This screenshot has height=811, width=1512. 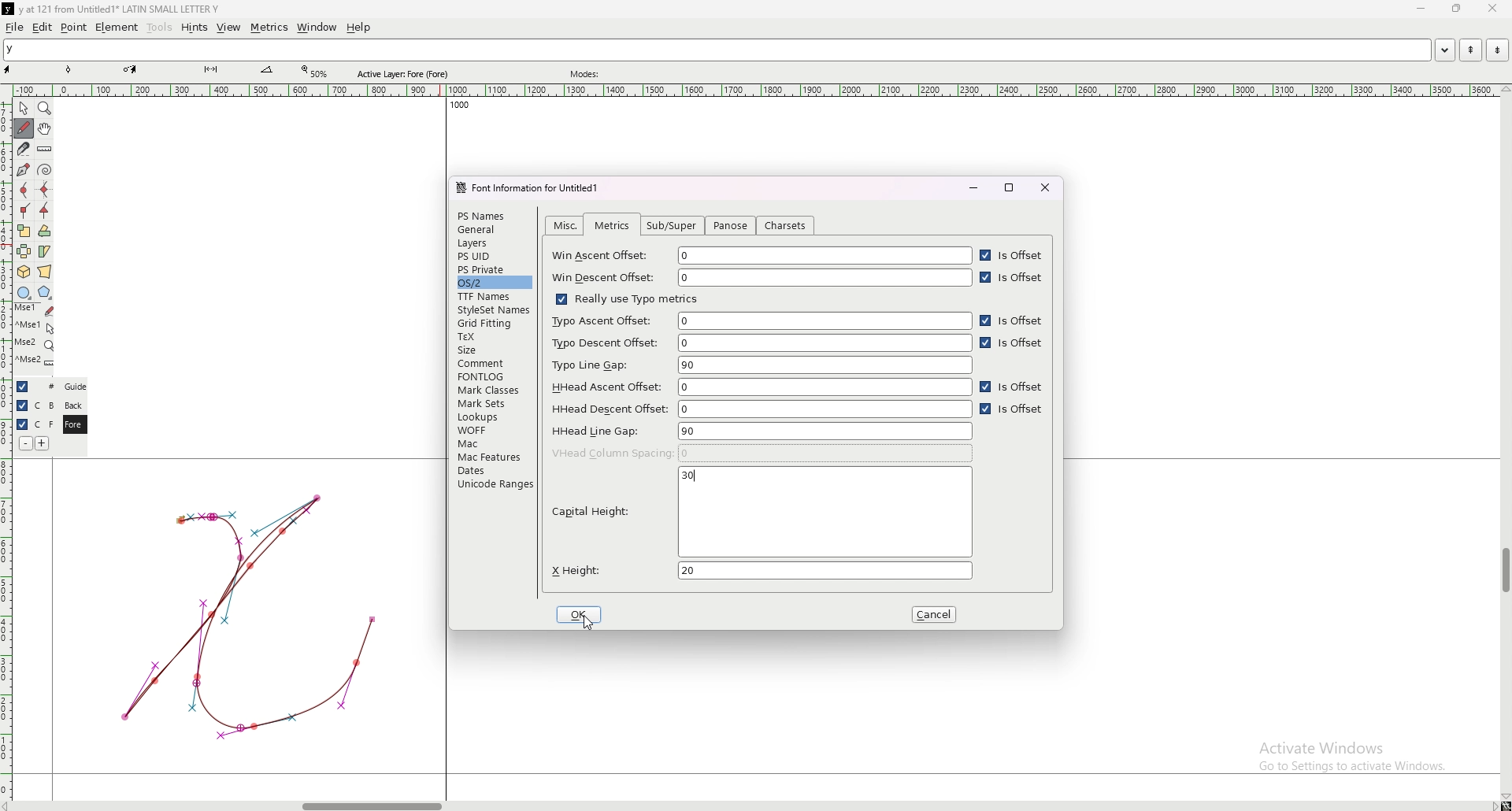 What do you see at coordinates (689, 476) in the screenshot?
I see `30` at bounding box center [689, 476].